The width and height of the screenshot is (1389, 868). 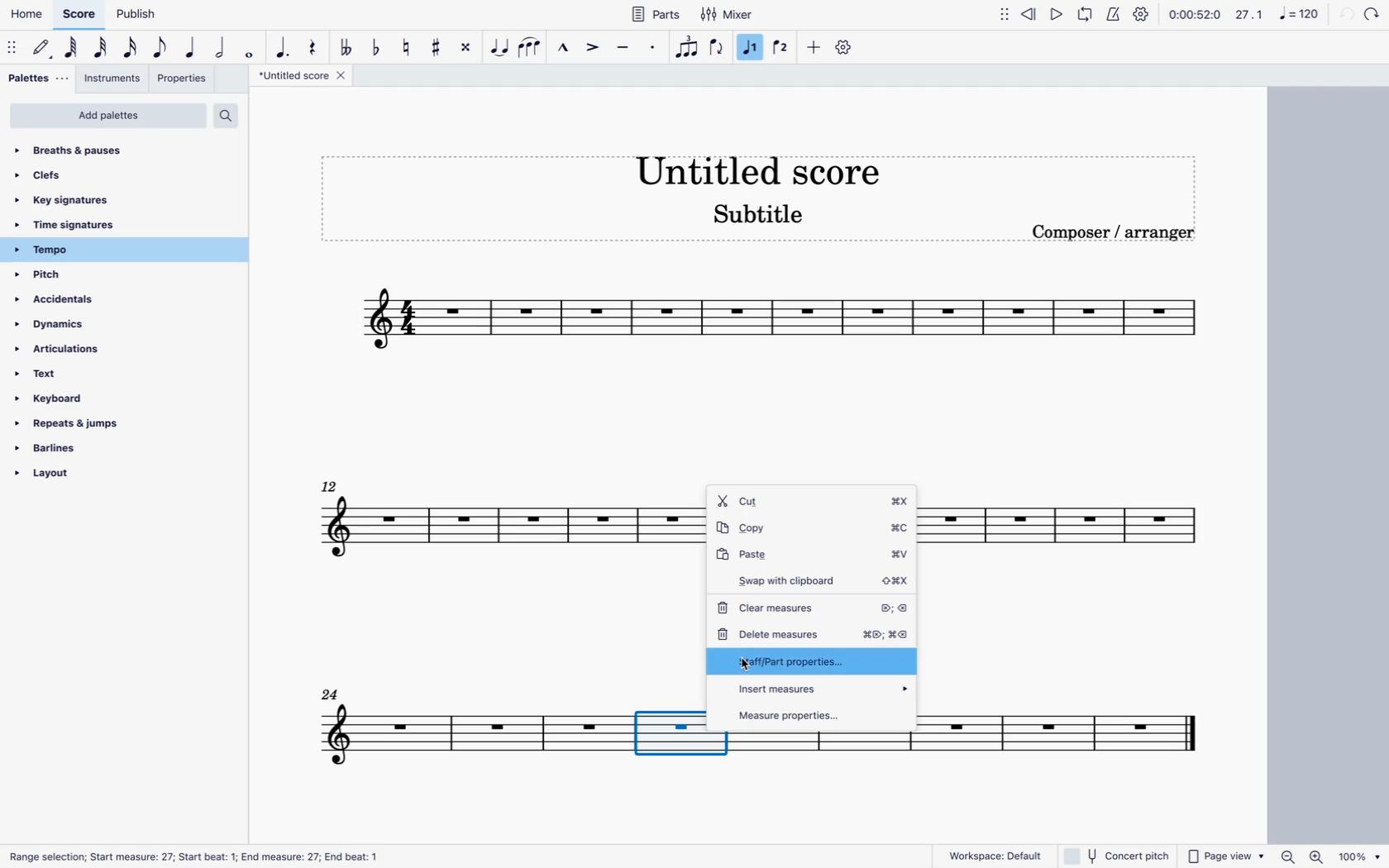 What do you see at coordinates (564, 49) in the screenshot?
I see `marcato` at bounding box center [564, 49].